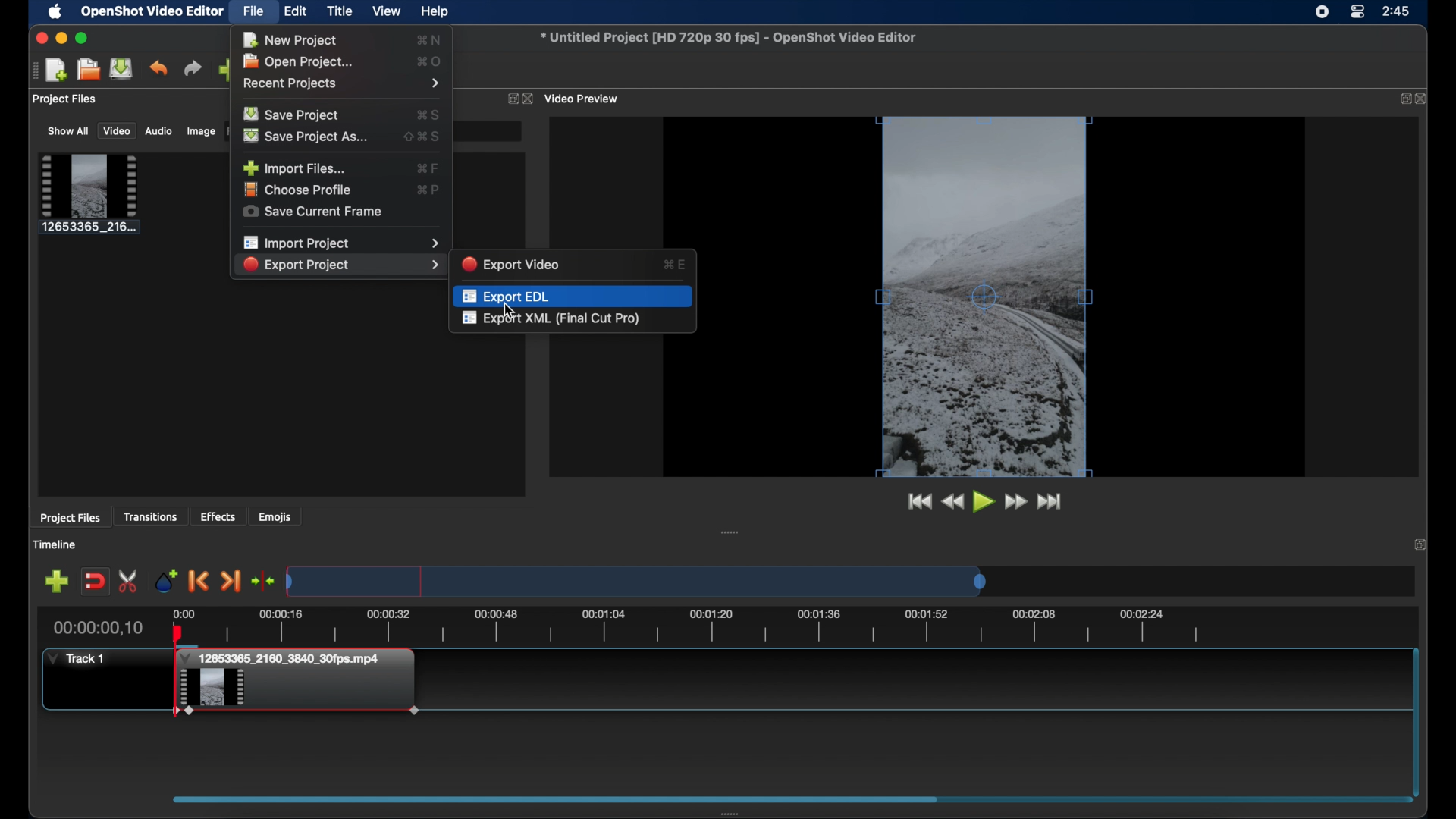 The image size is (1456, 819). What do you see at coordinates (61, 38) in the screenshot?
I see `minimize` at bounding box center [61, 38].